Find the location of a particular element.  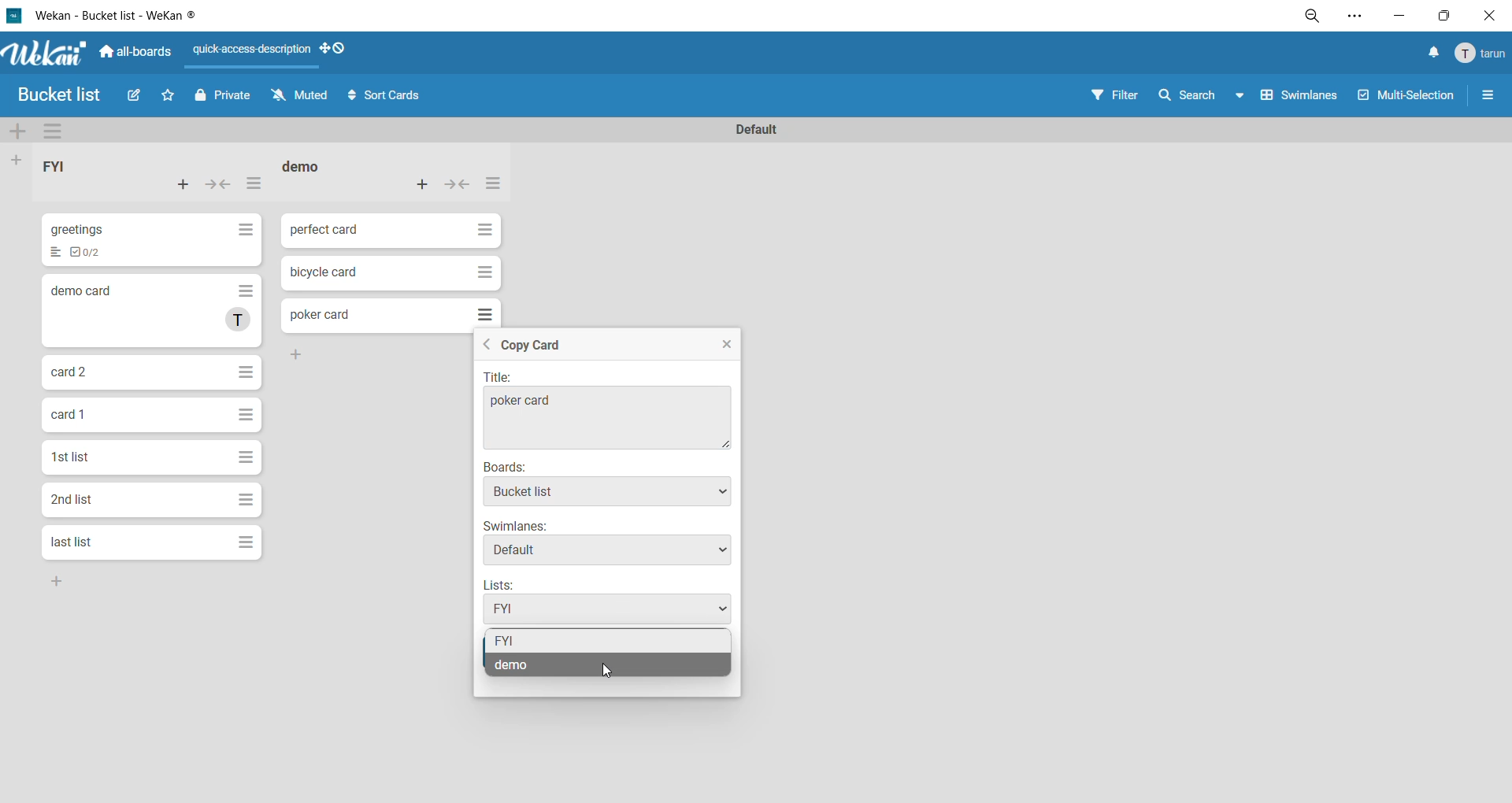

list actions is located at coordinates (254, 187).